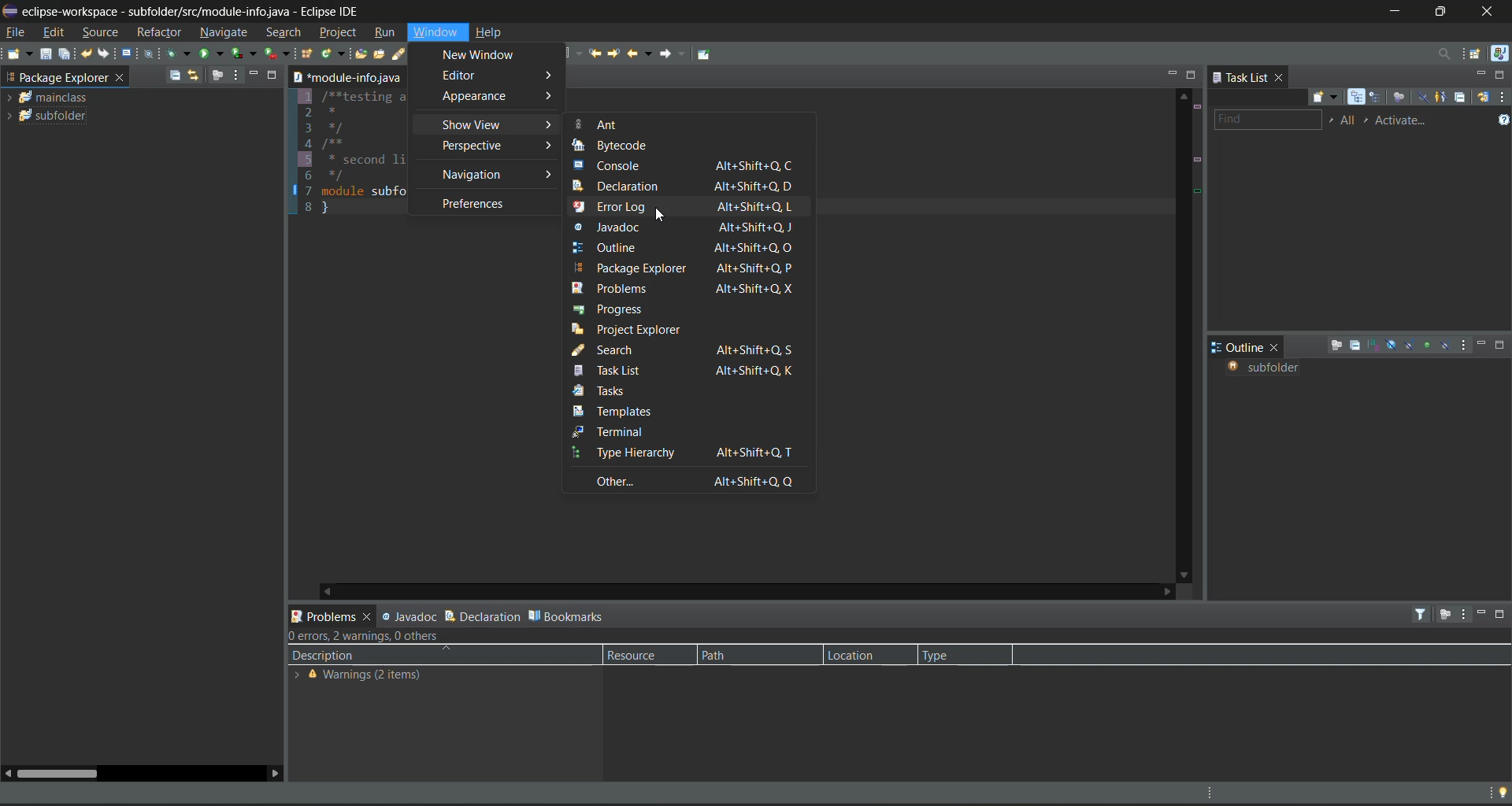  Describe the element at coordinates (489, 56) in the screenshot. I see `new window` at that location.